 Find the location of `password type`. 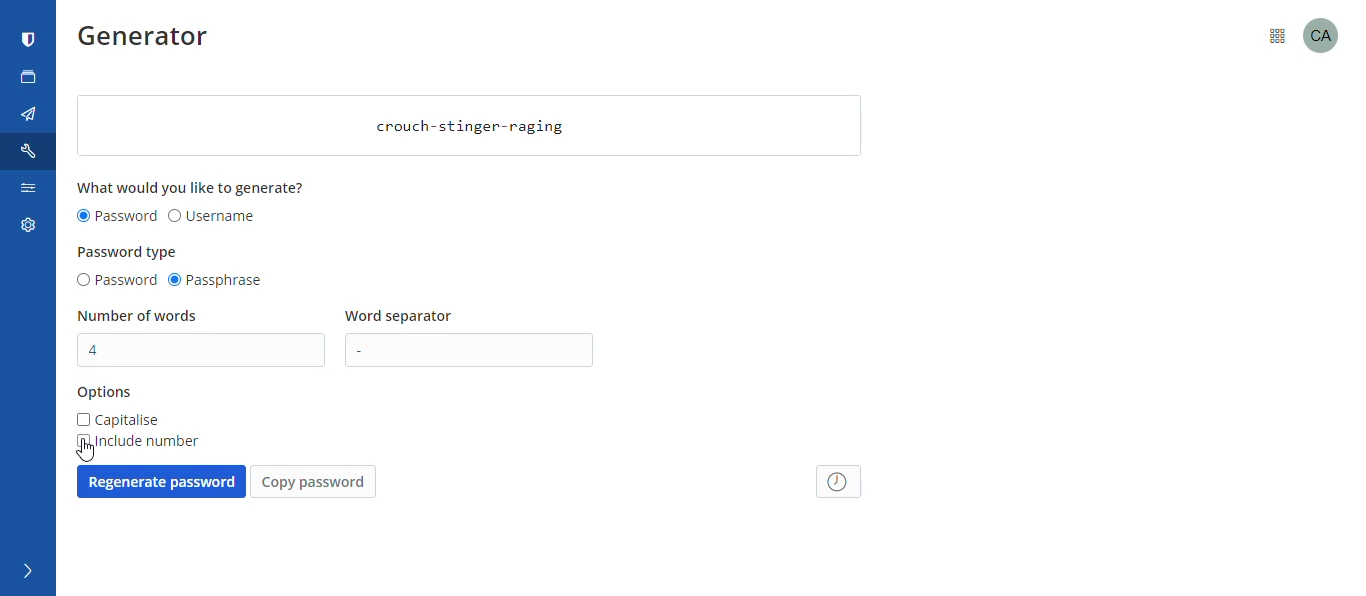

password type is located at coordinates (129, 252).